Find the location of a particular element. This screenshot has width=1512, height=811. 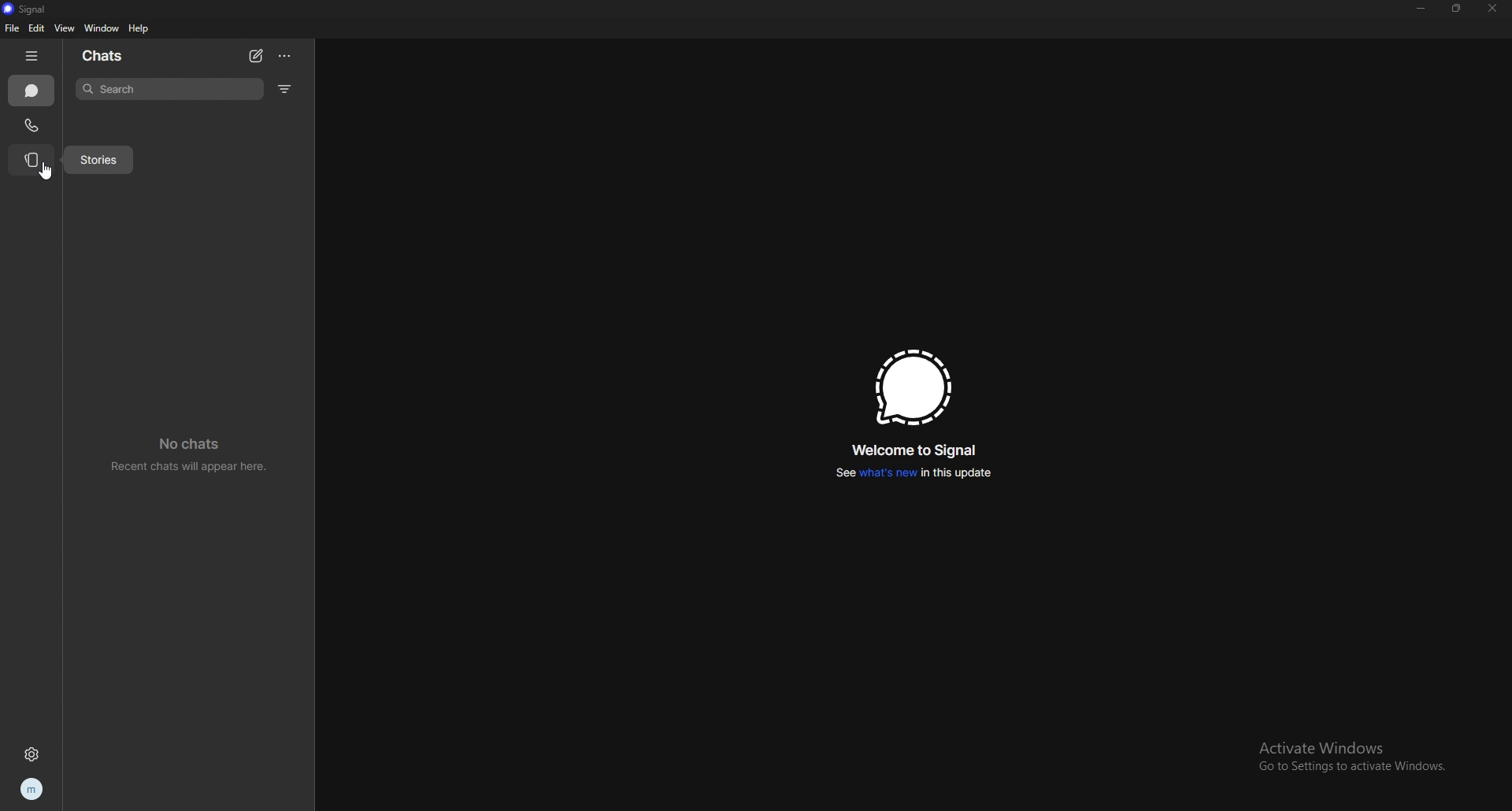

minimize is located at coordinates (1421, 9).